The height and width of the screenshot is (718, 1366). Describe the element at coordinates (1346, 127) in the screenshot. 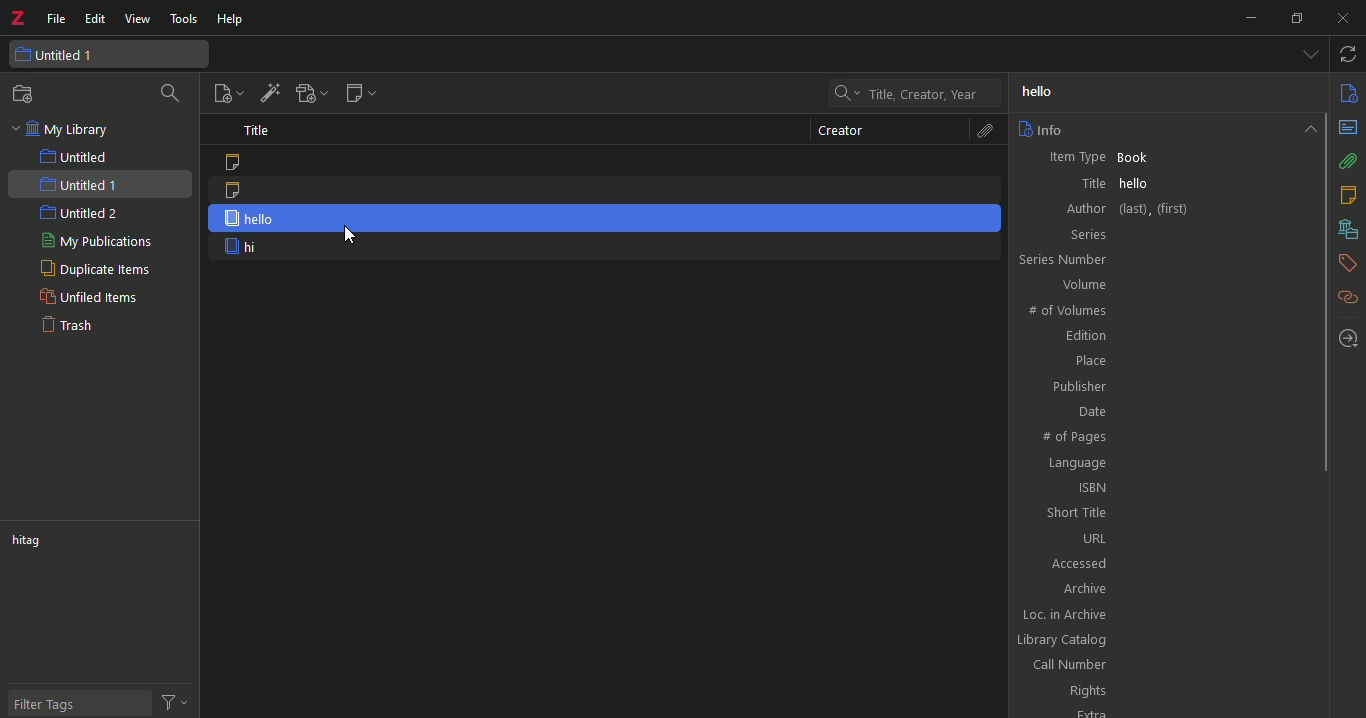

I see `abstract` at that location.